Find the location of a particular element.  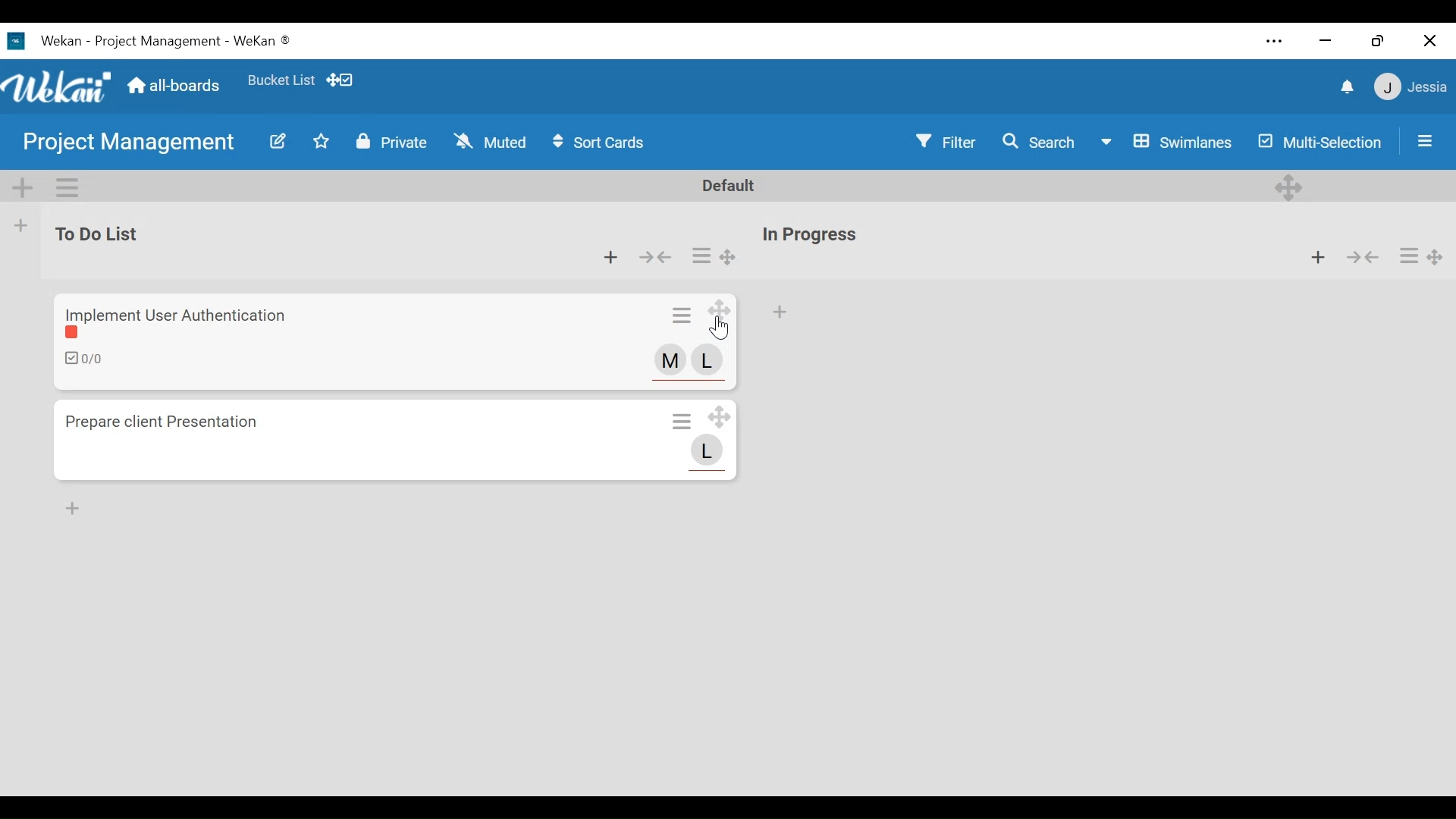

Multi-Selection is located at coordinates (1318, 143).